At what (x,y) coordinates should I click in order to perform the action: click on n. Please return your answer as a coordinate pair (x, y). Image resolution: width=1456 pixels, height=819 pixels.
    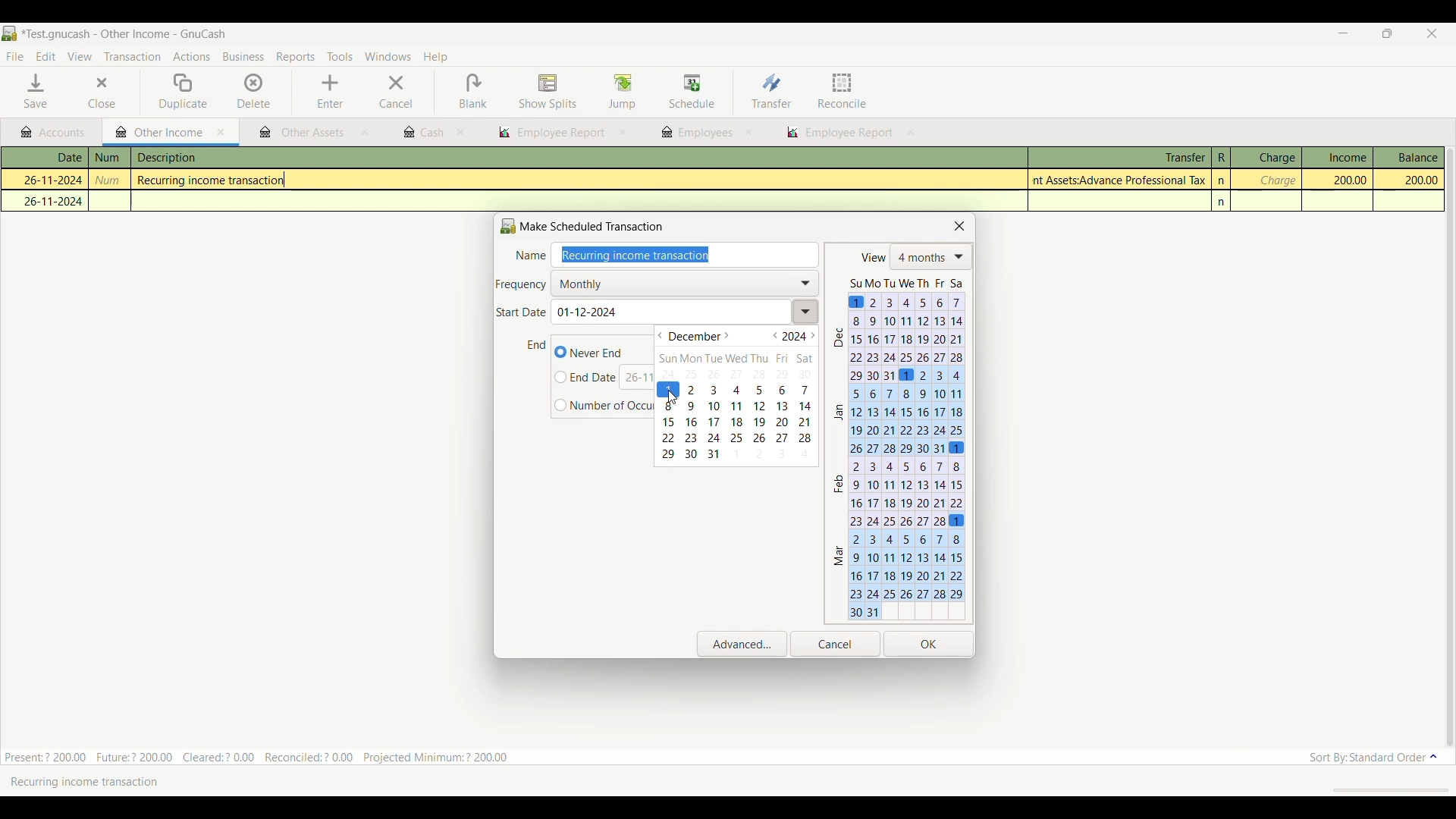
    Looking at the image, I should click on (1223, 202).